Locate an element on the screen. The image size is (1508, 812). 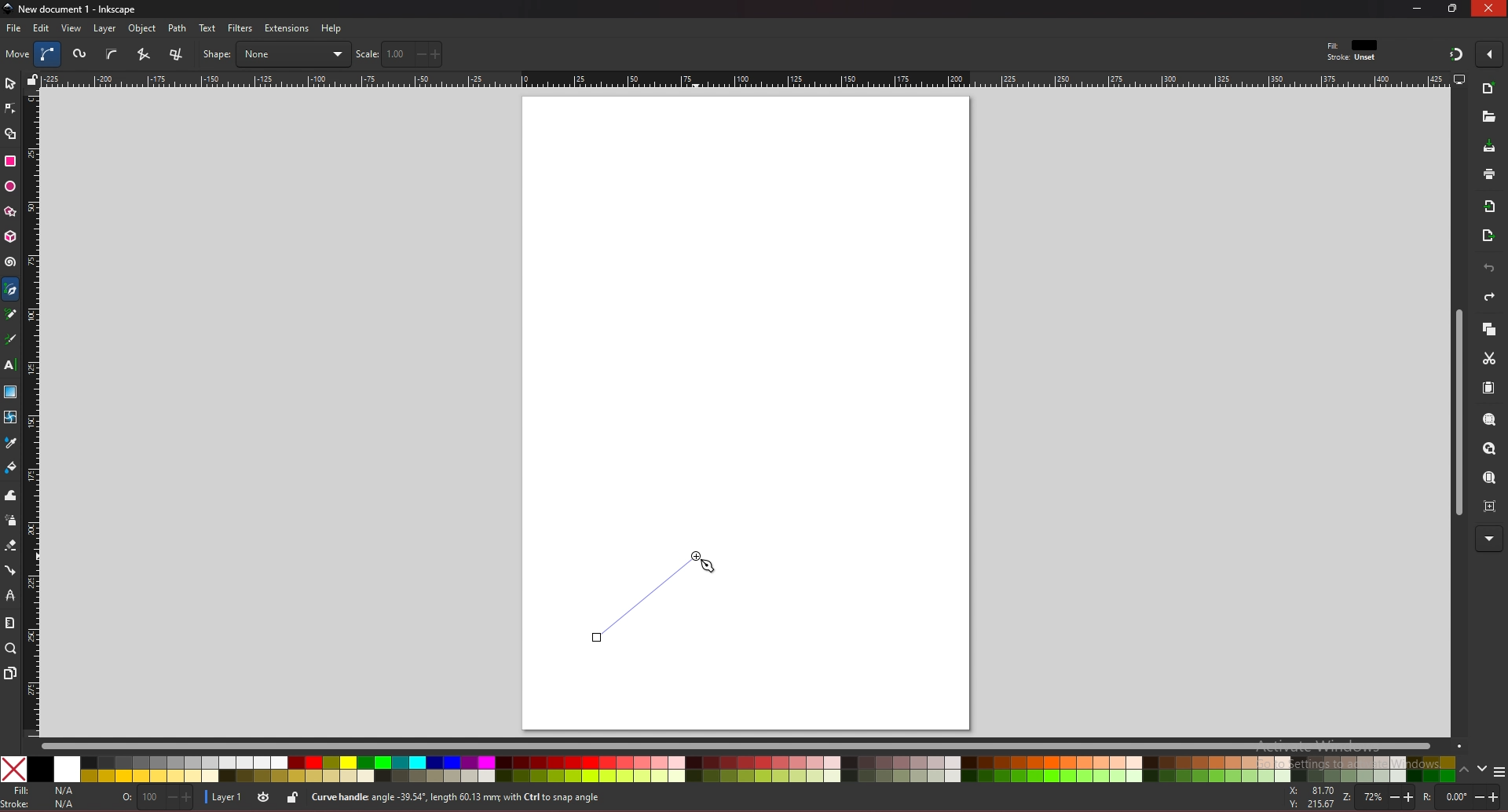
spiro path is located at coordinates (81, 55).